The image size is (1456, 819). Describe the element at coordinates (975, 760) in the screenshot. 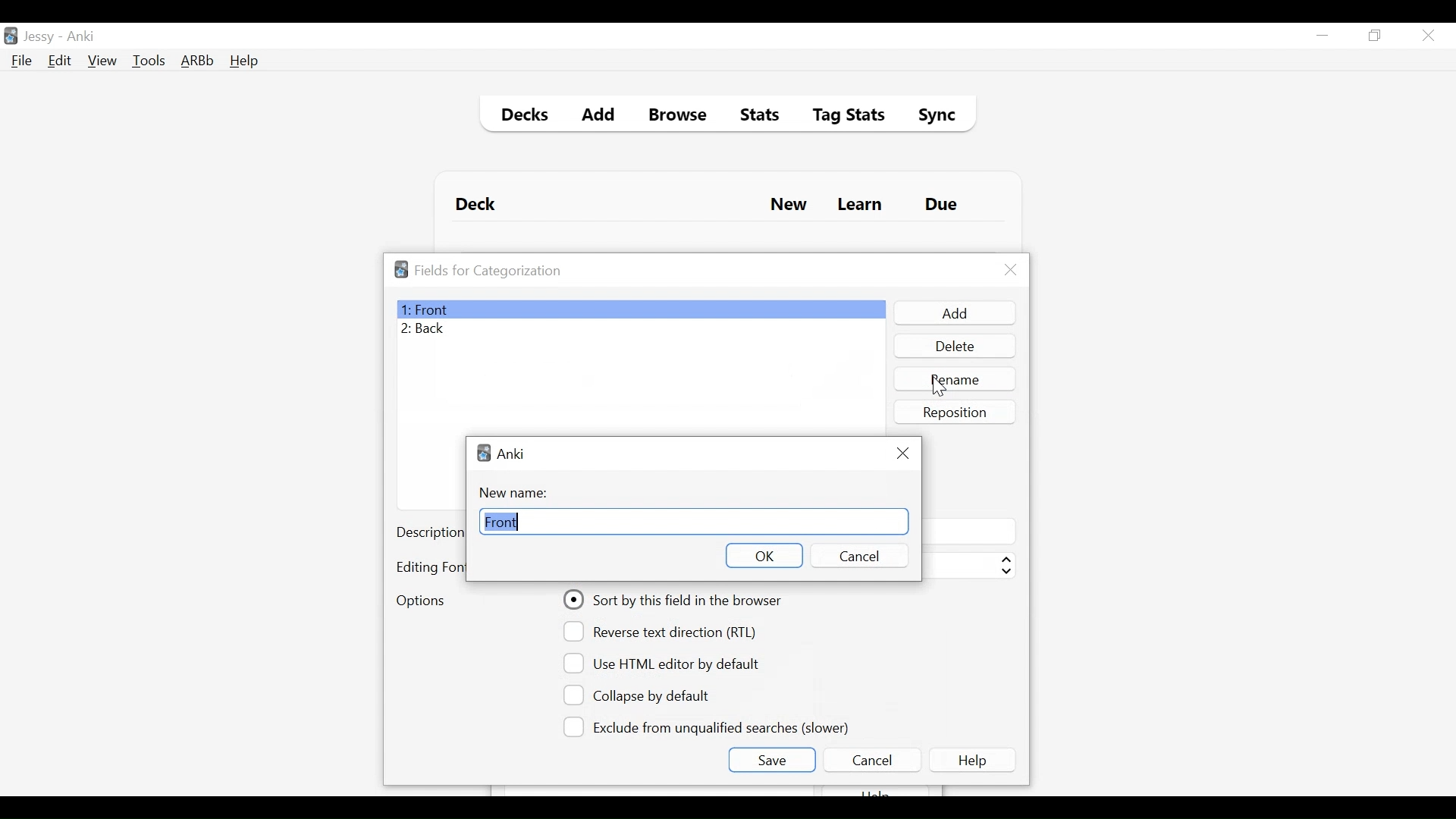

I see `Help` at that location.